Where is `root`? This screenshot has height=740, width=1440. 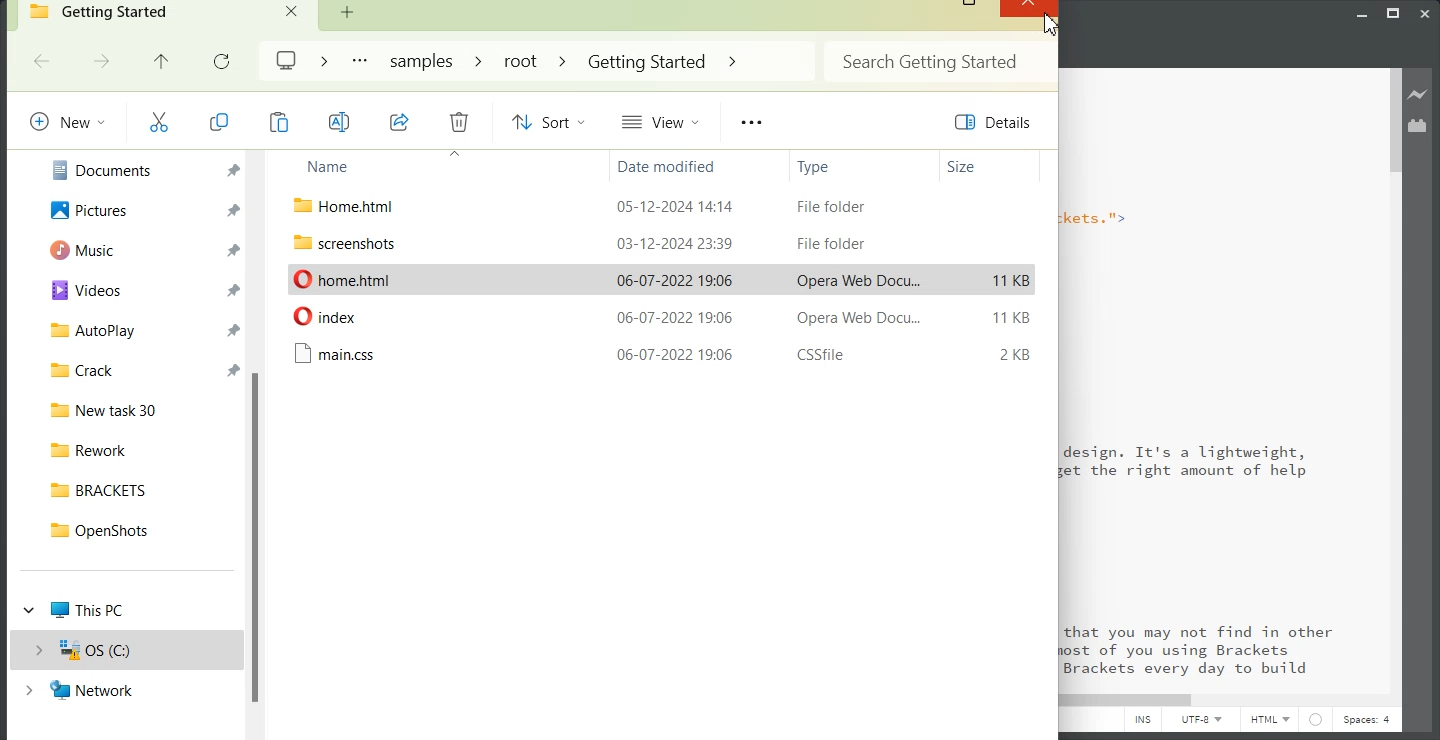
root is located at coordinates (519, 60).